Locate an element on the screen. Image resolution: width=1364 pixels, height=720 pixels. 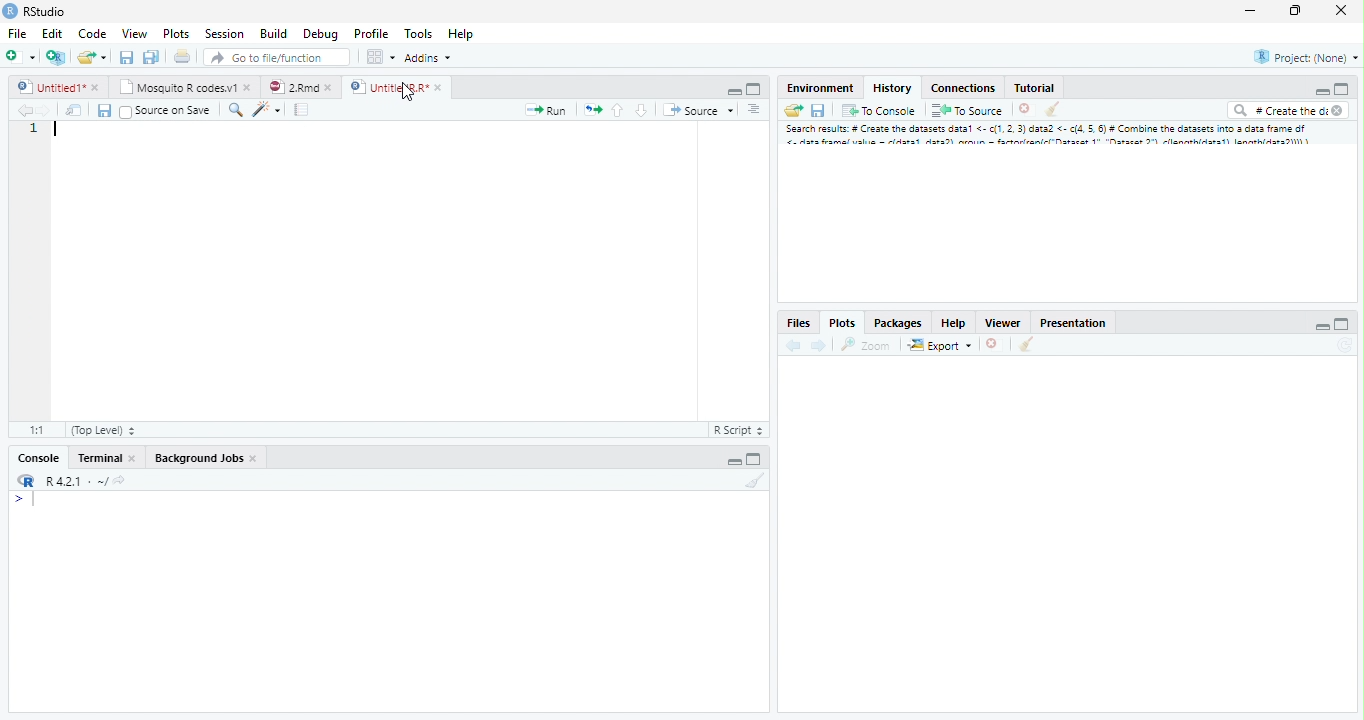
File is located at coordinates (17, 35).